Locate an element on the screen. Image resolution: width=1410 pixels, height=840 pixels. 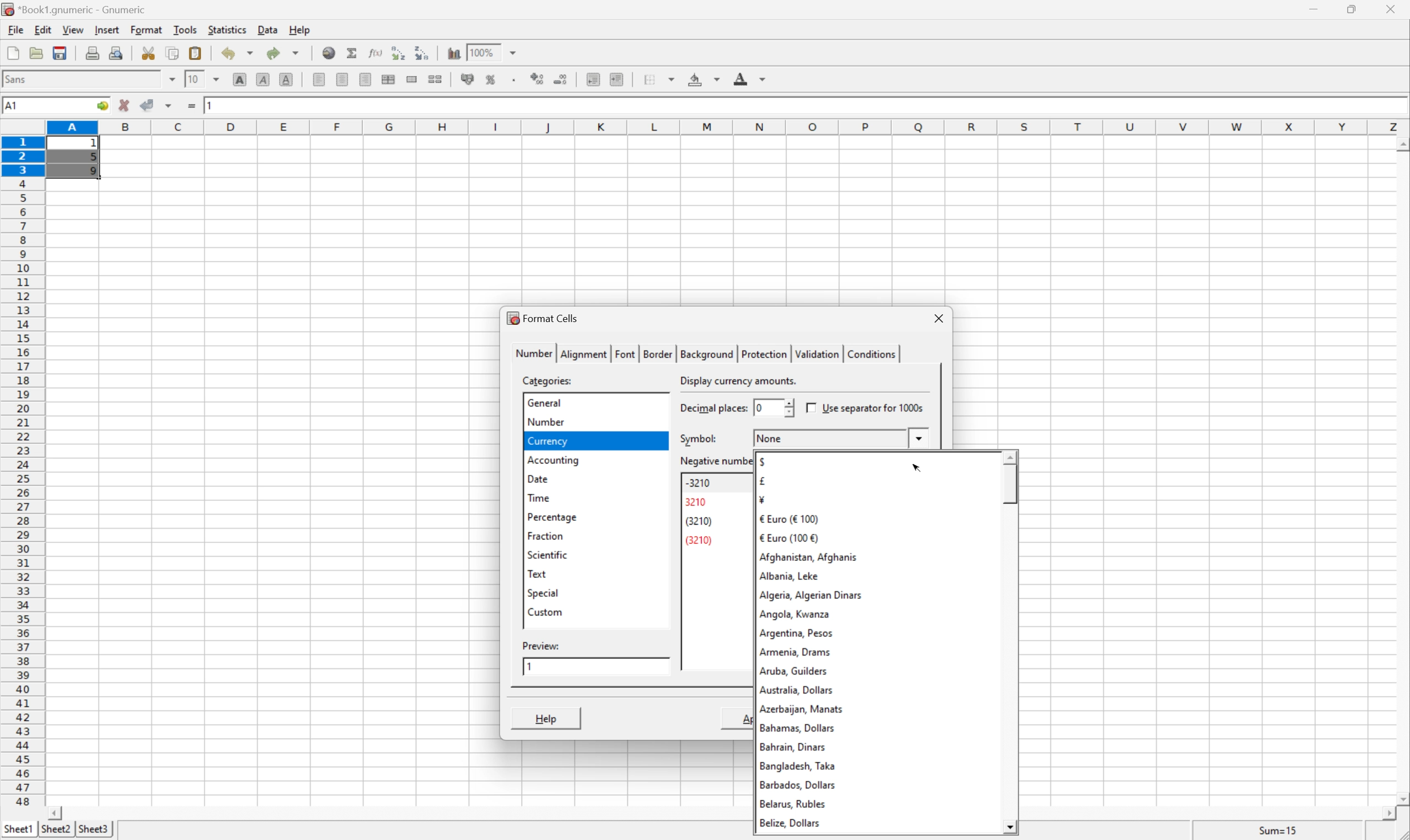
protection is located at coordinates (762, 354).